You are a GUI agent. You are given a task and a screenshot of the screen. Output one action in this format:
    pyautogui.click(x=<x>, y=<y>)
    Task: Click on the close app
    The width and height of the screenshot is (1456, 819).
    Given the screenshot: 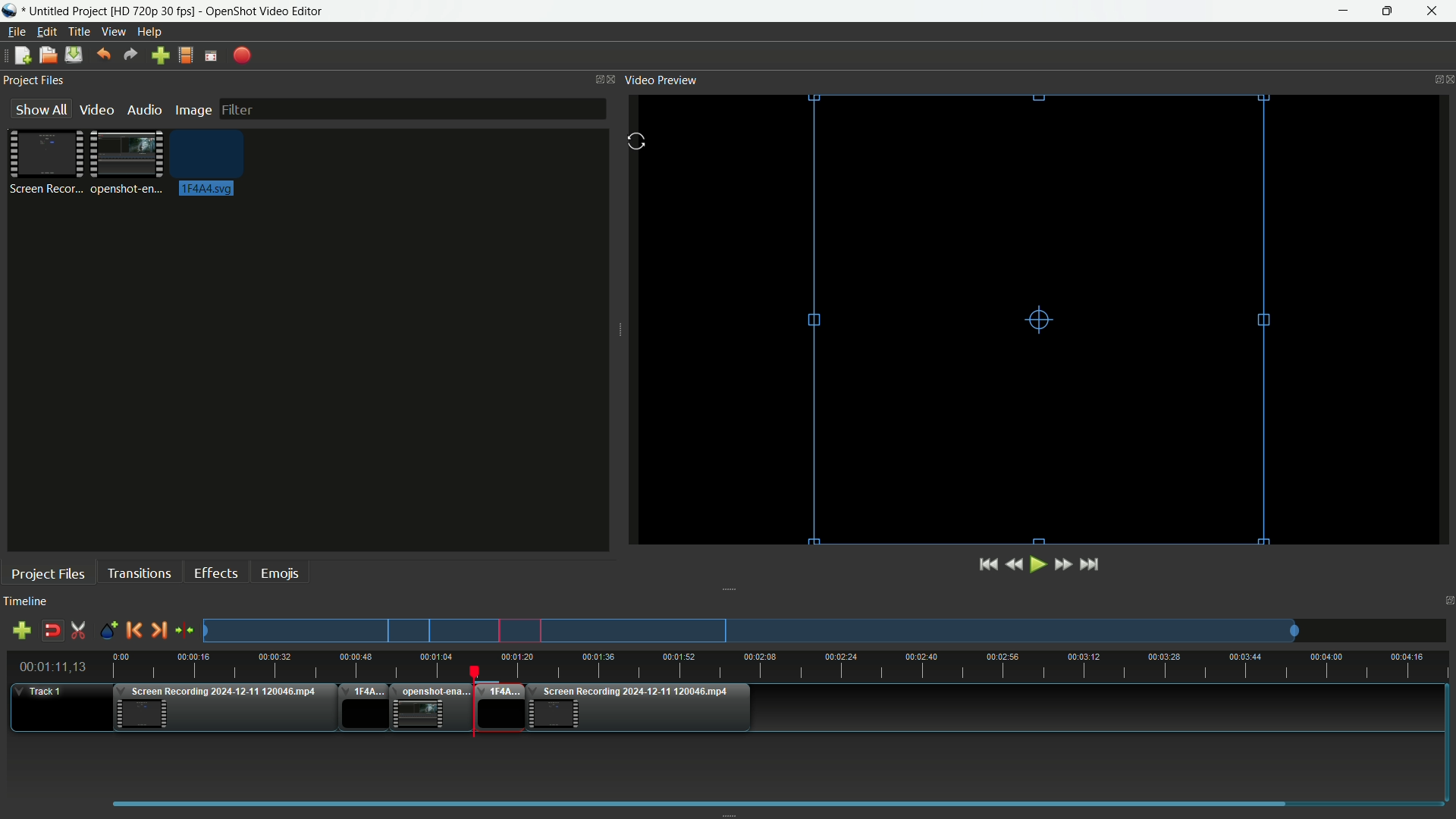 What is the action you would take?
    pyautogui.click(x=1432, y=11)
    